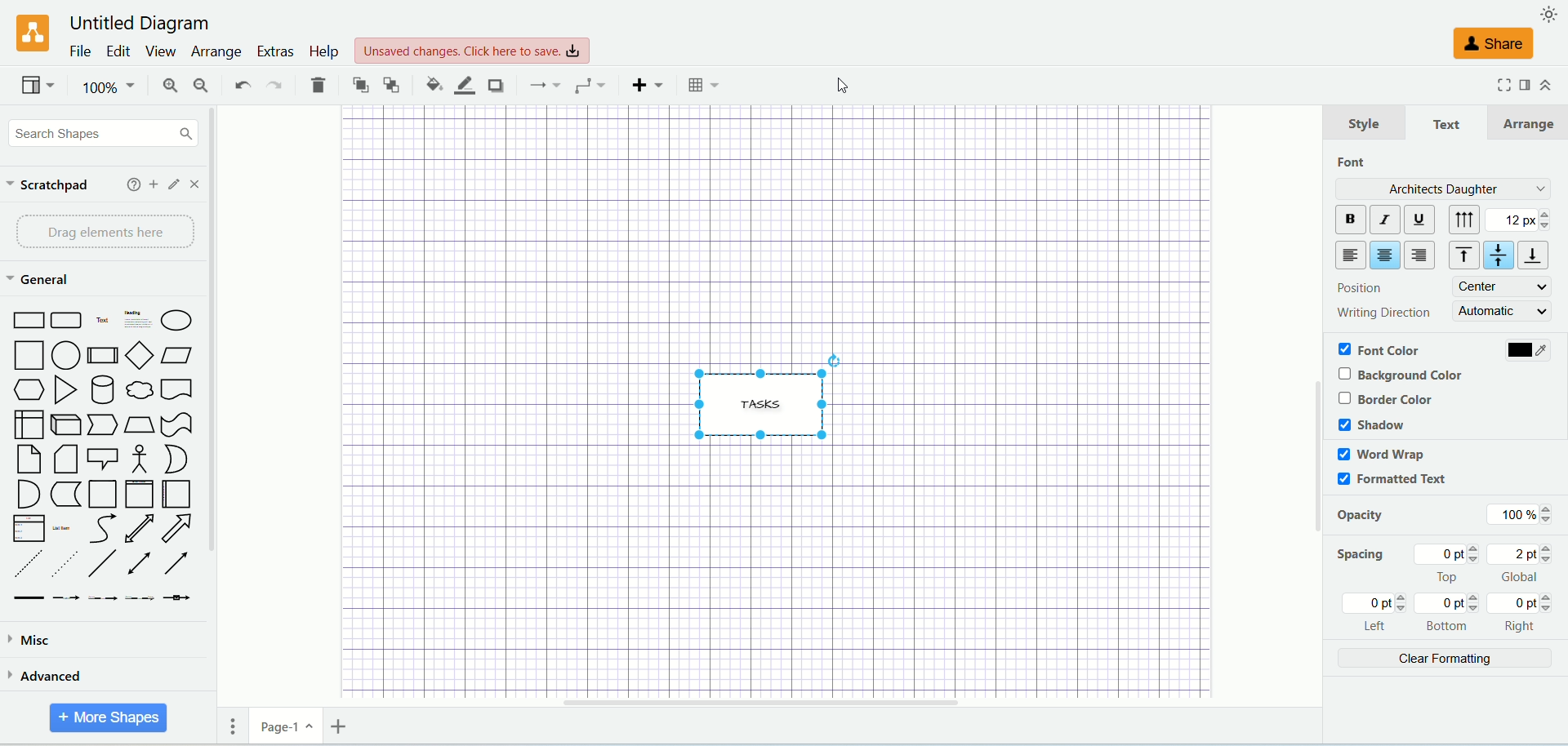  Describe the element at coordinates (177, 320) in the screenshot. I see `Ellipse` at that location.